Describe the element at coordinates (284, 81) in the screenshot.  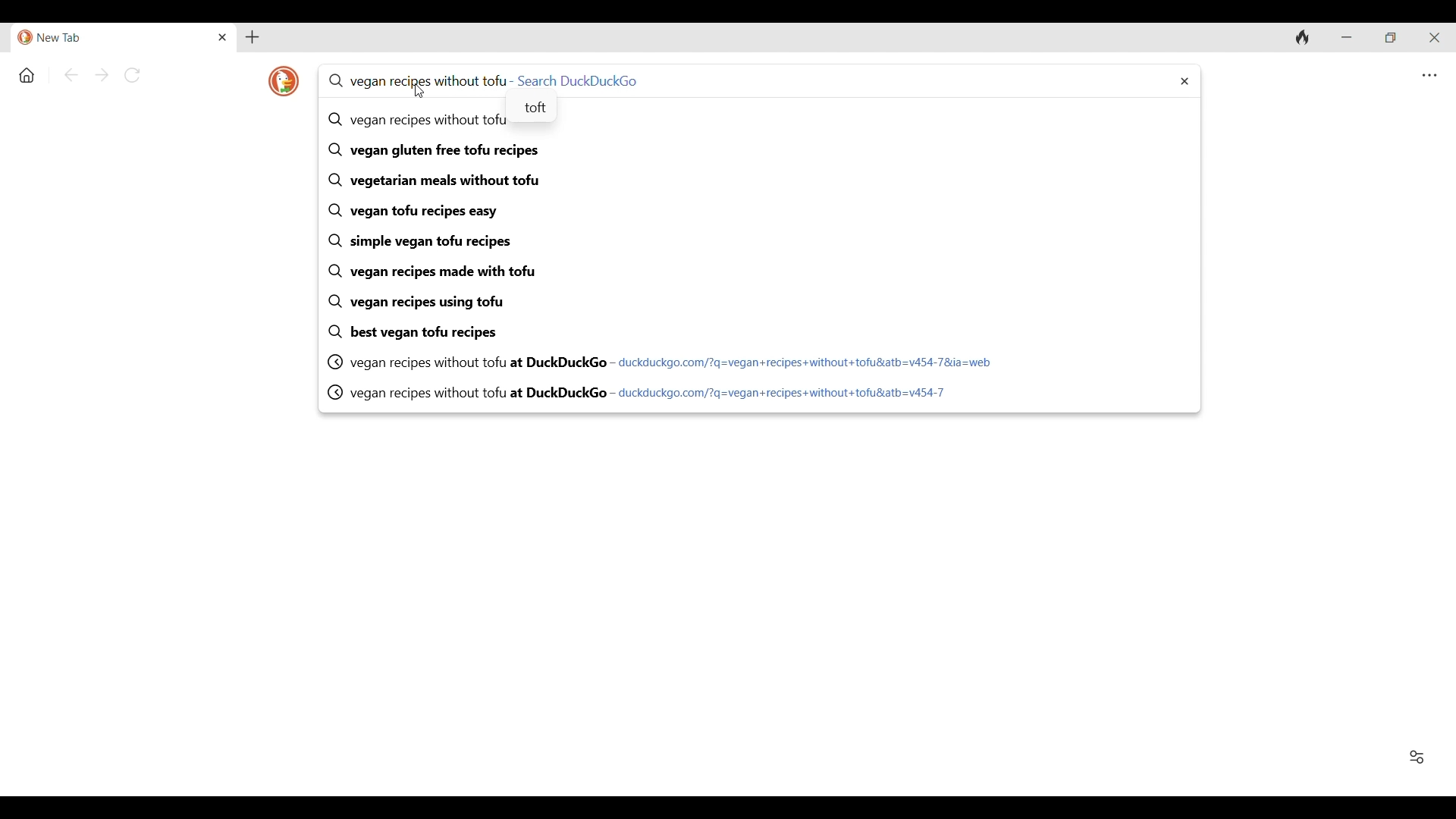
I see `Browser logo` at that location.